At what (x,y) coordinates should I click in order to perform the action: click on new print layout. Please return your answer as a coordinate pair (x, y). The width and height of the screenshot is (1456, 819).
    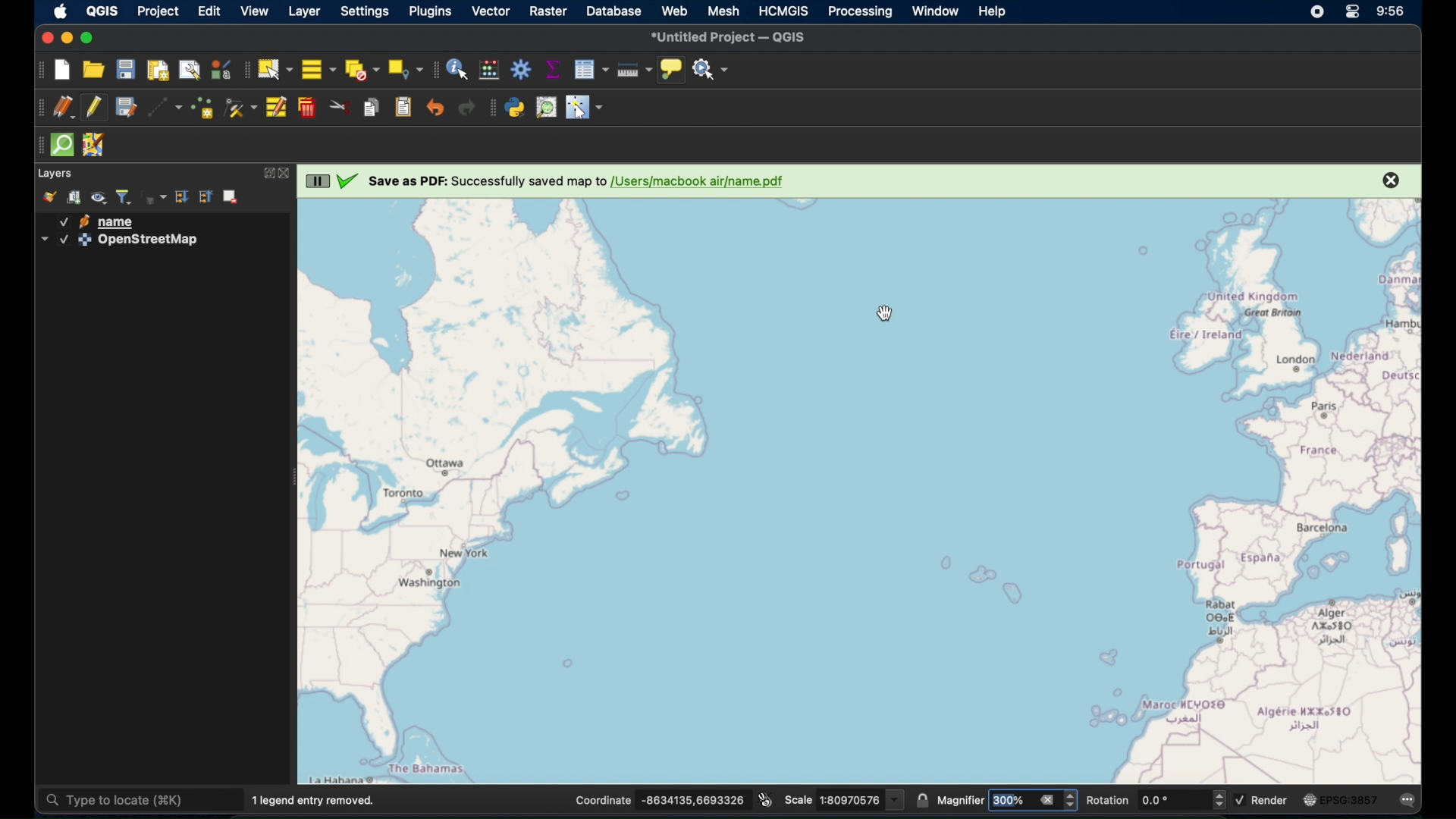
    Looking at the image, I should click on (157, 71).